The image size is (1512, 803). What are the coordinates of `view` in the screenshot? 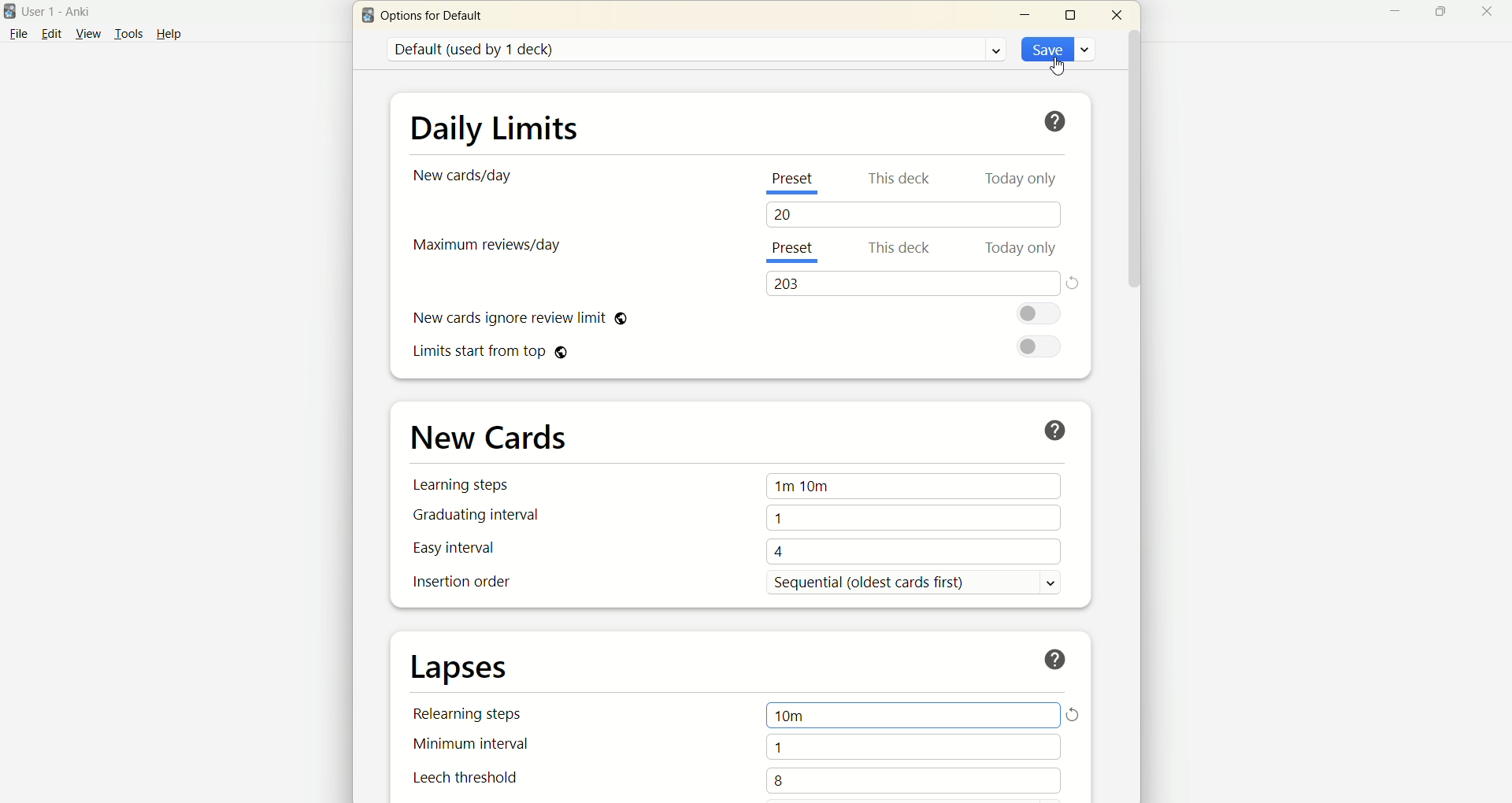 It's located at (86, 34).